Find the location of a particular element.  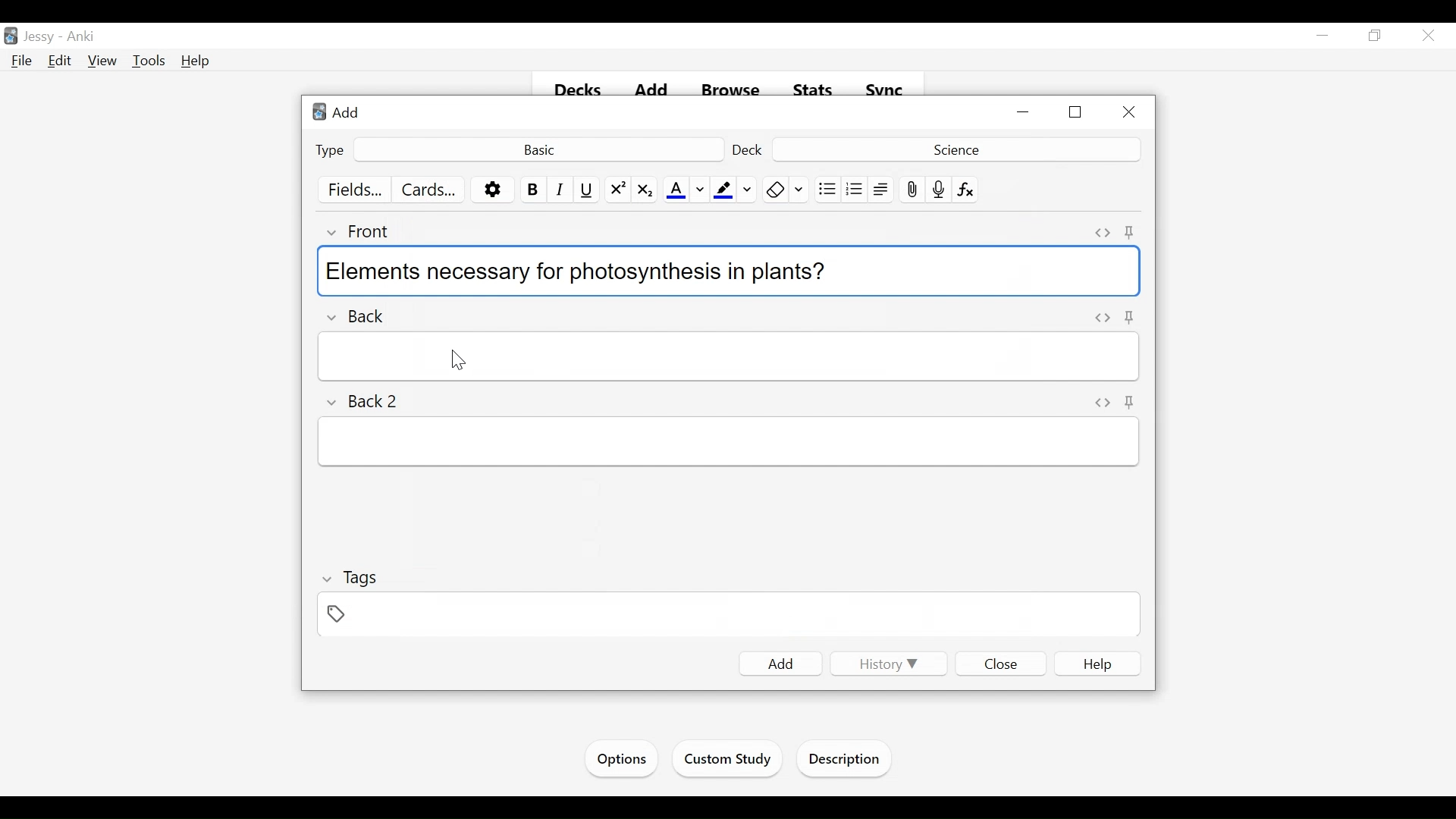

Close is located at coordinates (1128, 113).